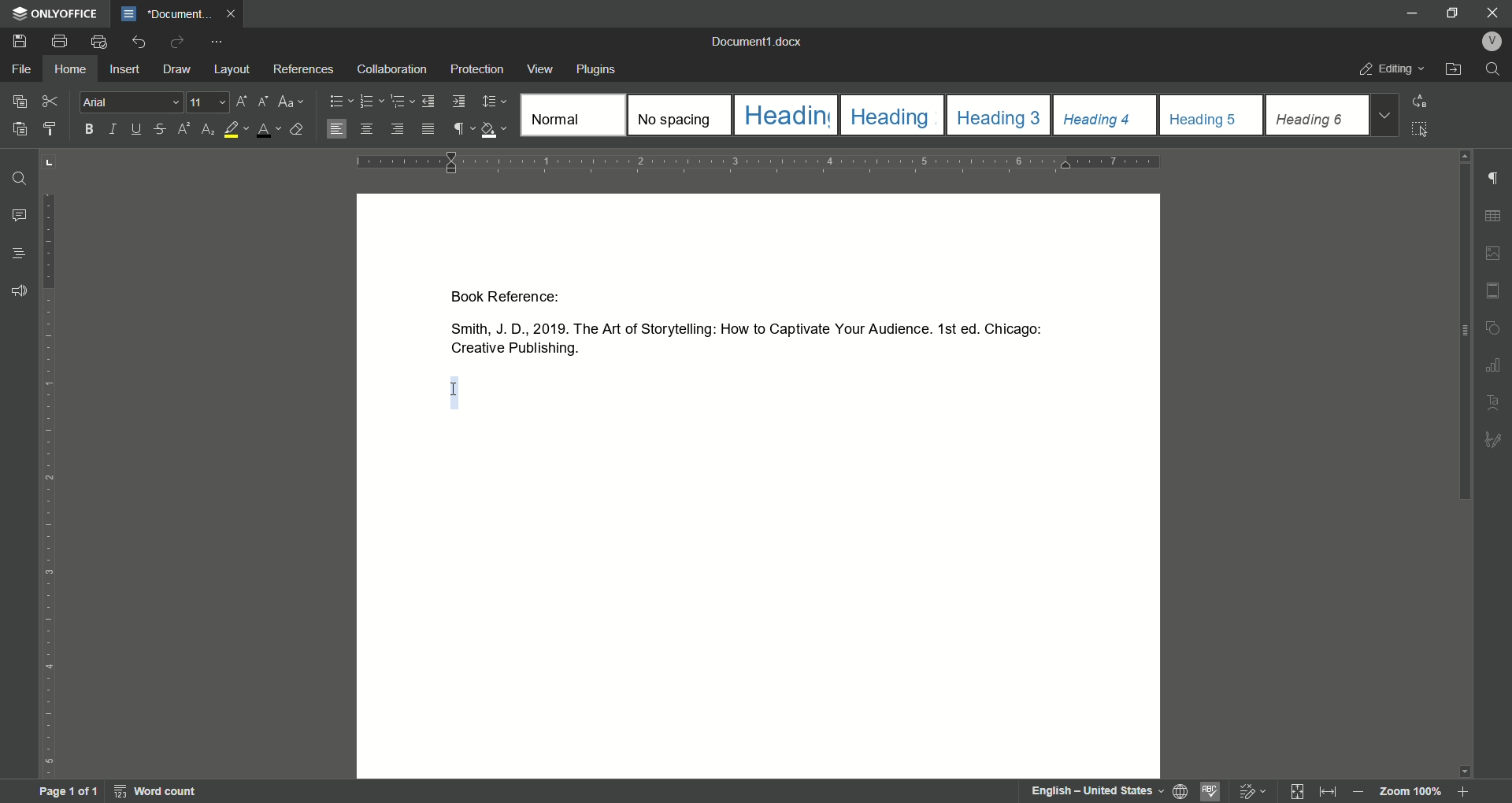 The height and width of the screenshot is (803, 1512). Describe the element at coordinates (235, 130) in the screenshot. I see `highlight color` at that location.